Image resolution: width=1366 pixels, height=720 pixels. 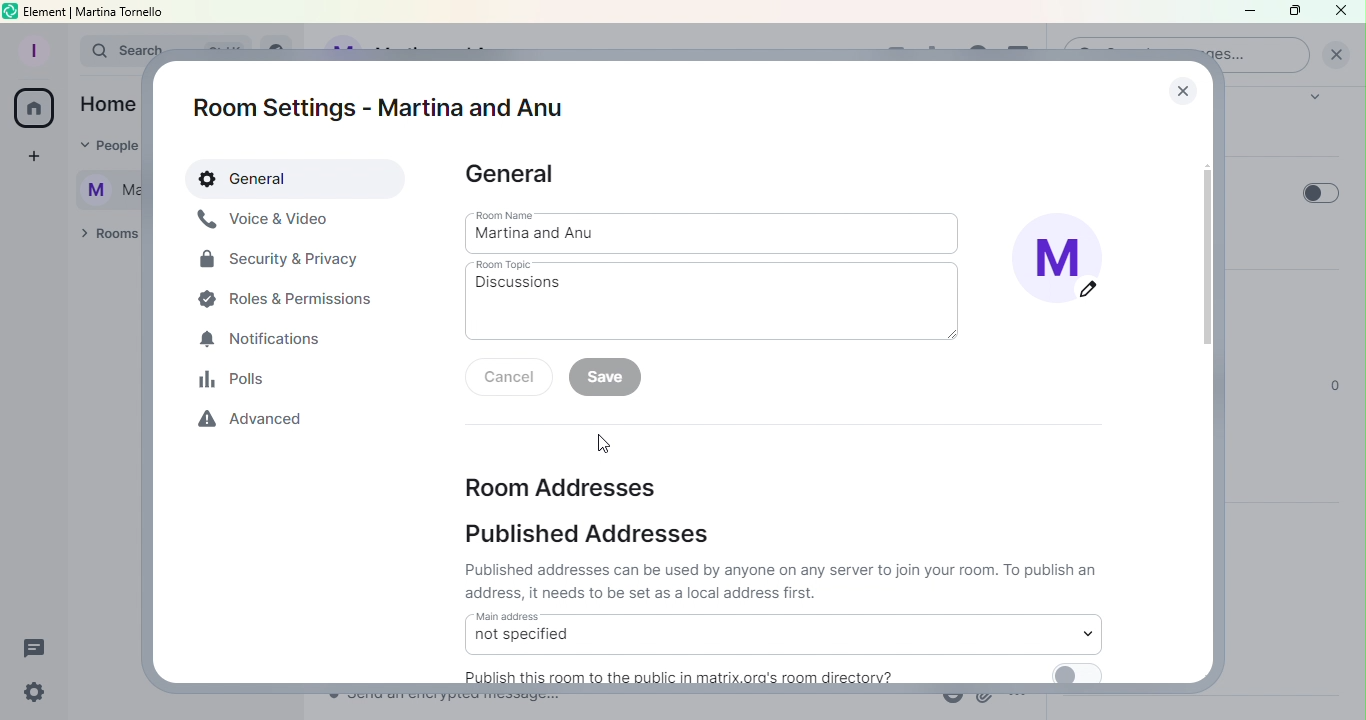 What do you see at coordinates (39, 644) in the screenshot?
I see `Threads` at bounding box center [39, 644].